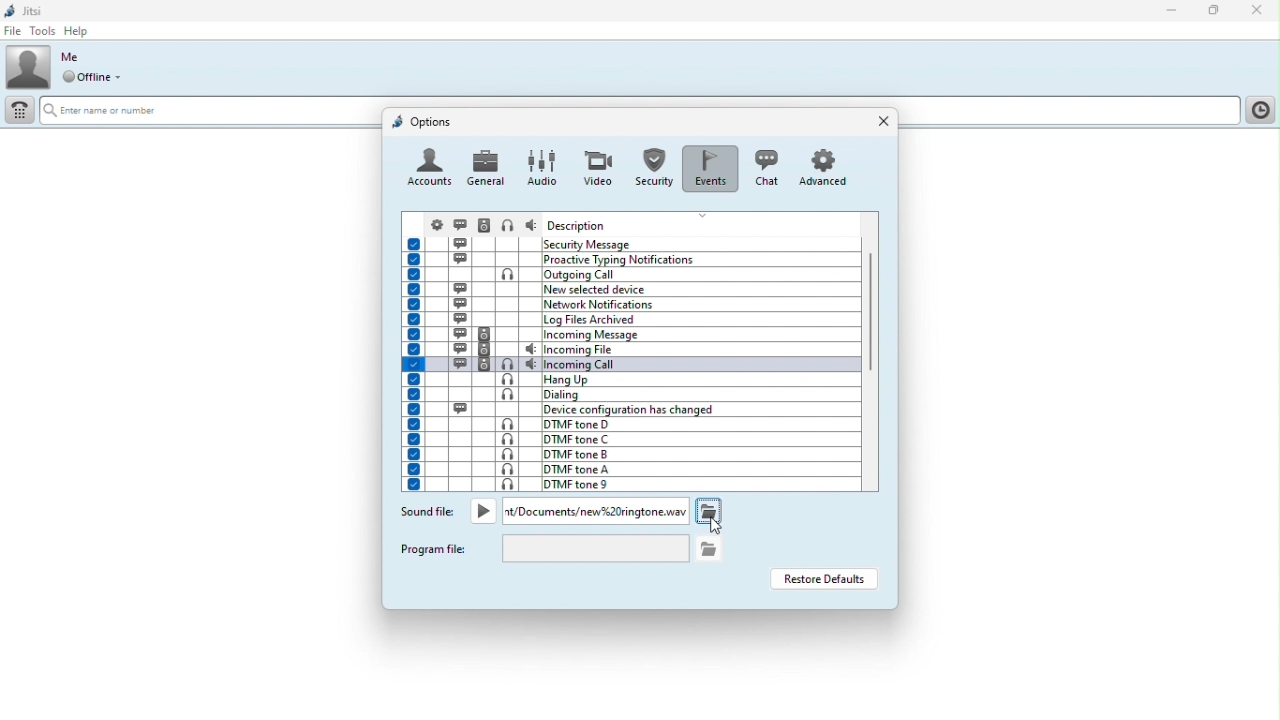  Describe the element at coordinates (707, 510) in the screenshot. I see `open folder` at that location.